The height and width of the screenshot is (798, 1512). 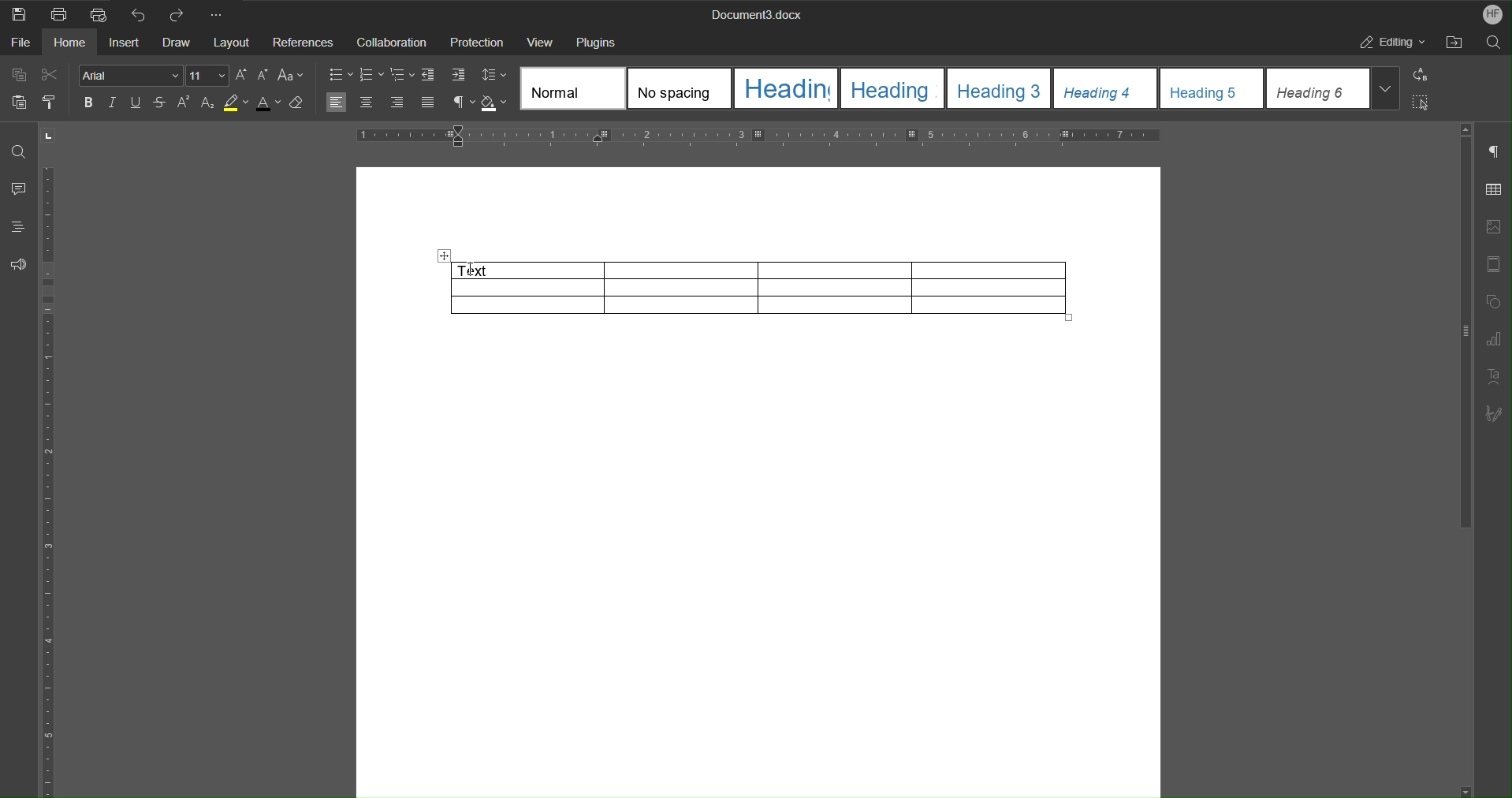 I want to click on Underline, so click(x=136, y=103).